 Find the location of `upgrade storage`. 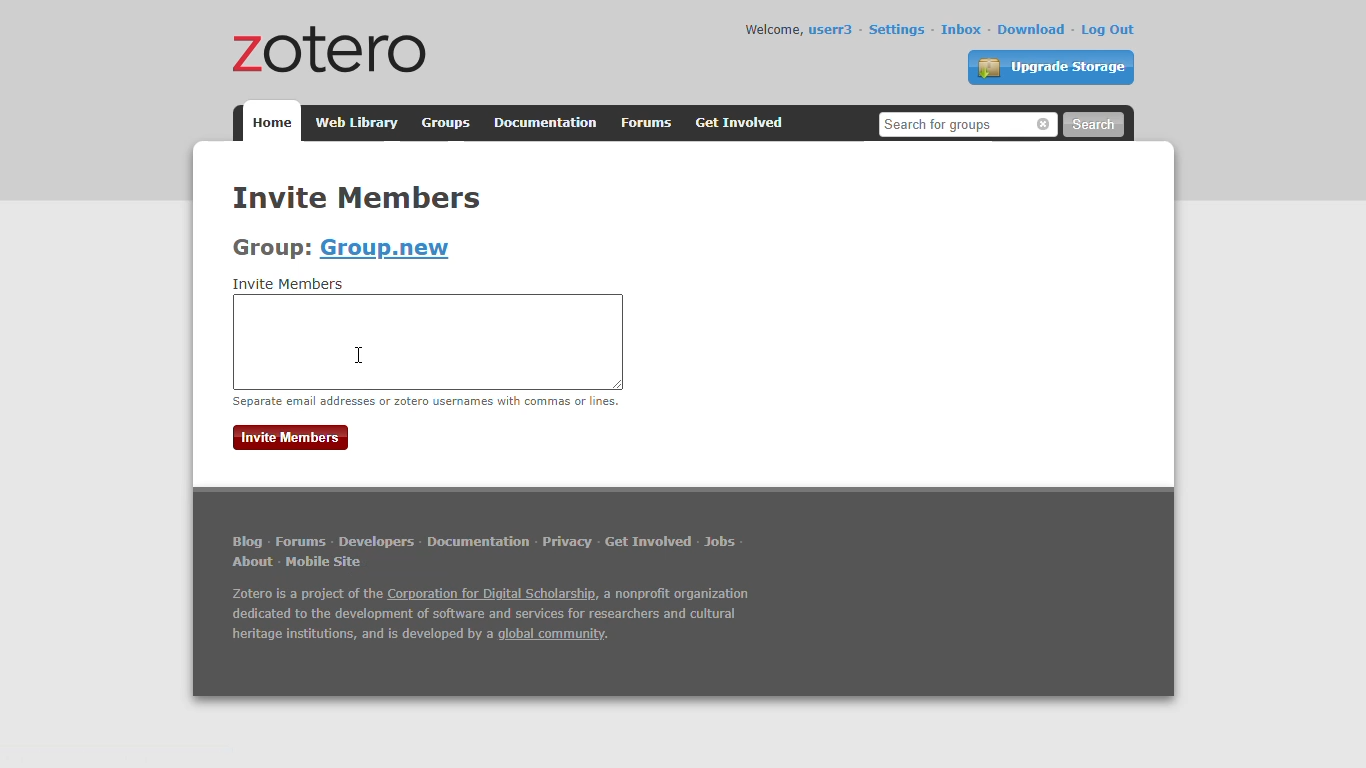

upgrade storage is located at coordinates (1050, 67).